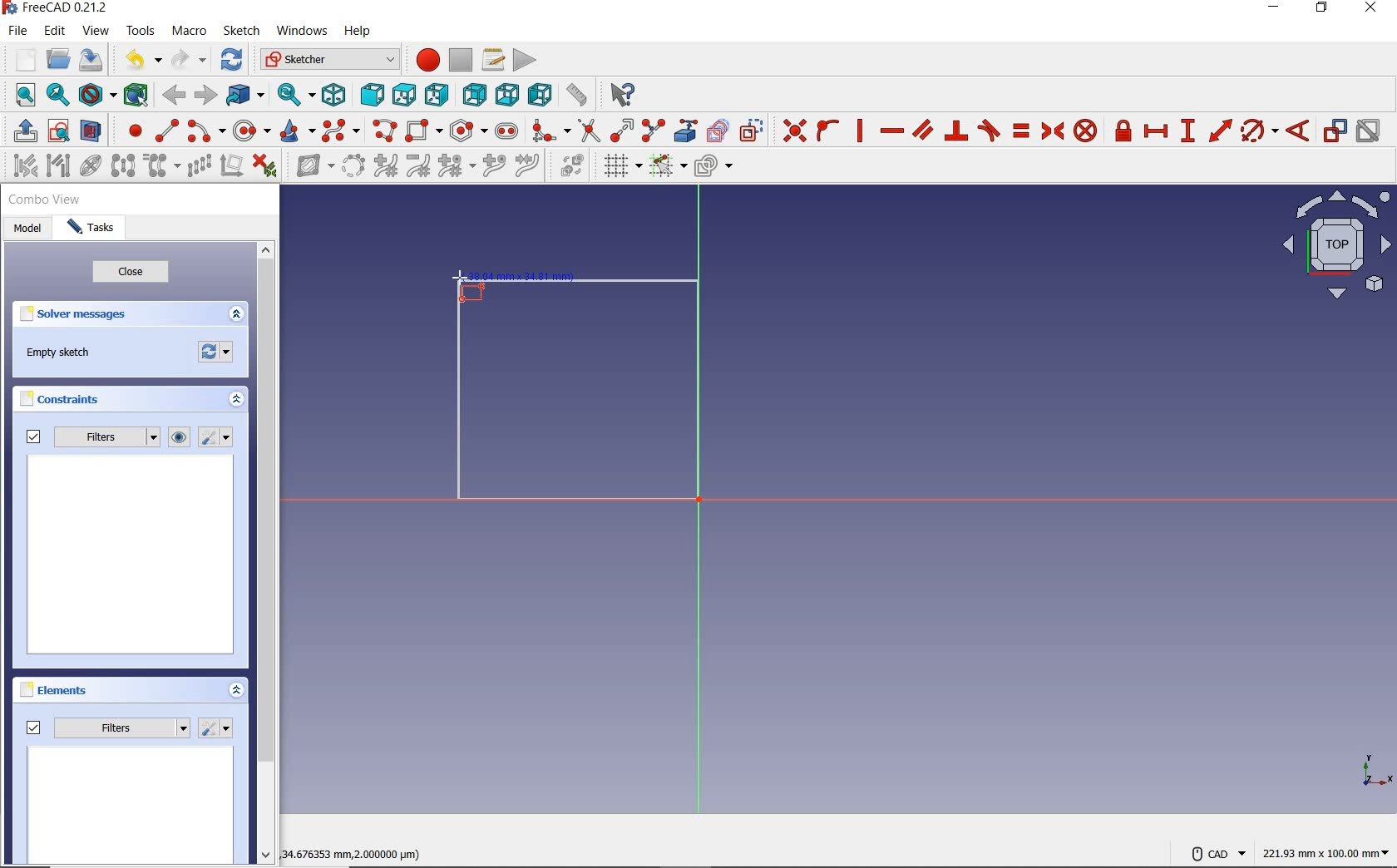 The height and width of the screenshot is (868, 1397). What do you see at coordinates (233, 61) in the screenshot?
I see `refresh` at bounding box center [233, 61].